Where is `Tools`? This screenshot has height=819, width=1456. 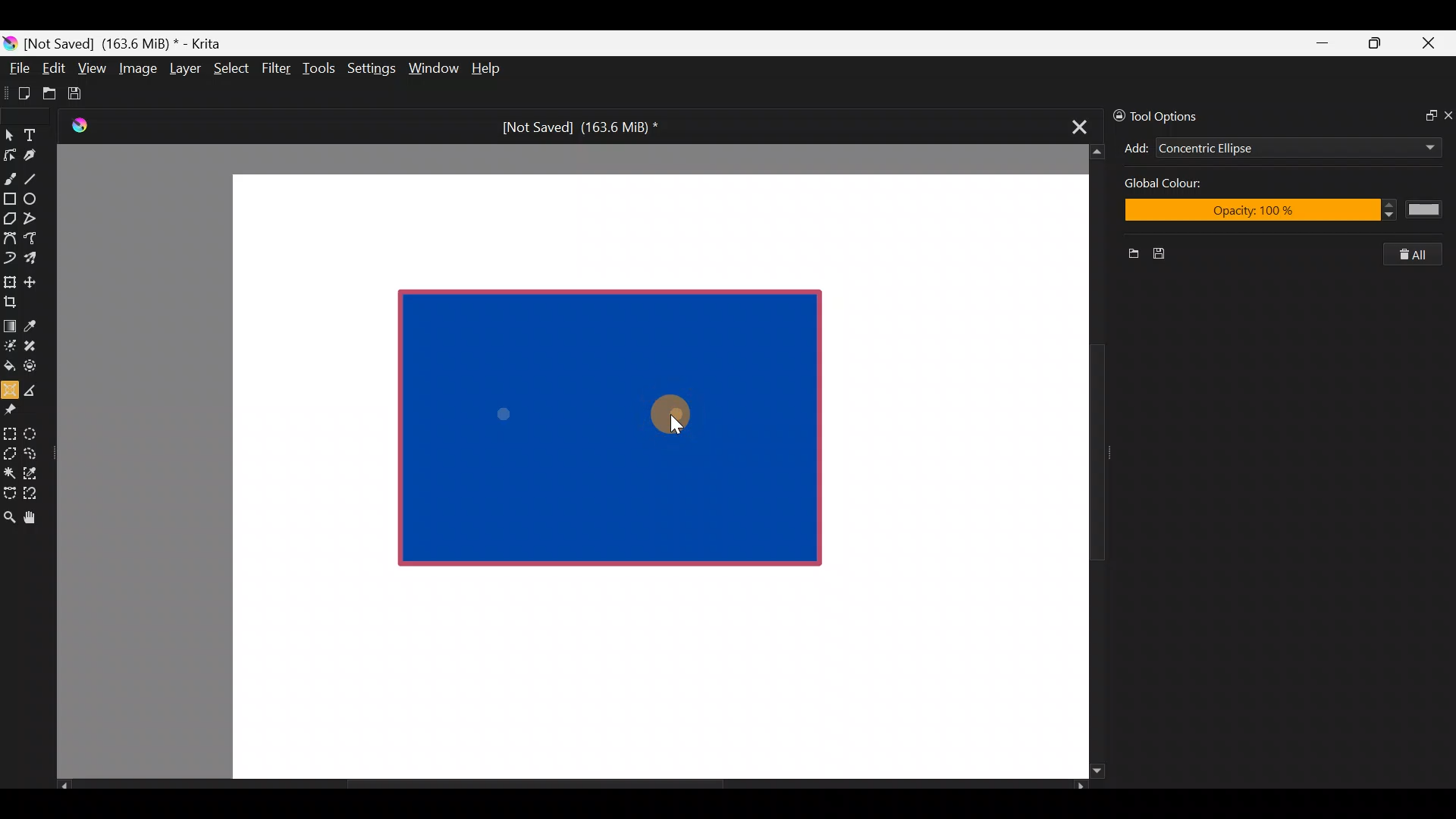 Tools is located at coordinates (322, 69).